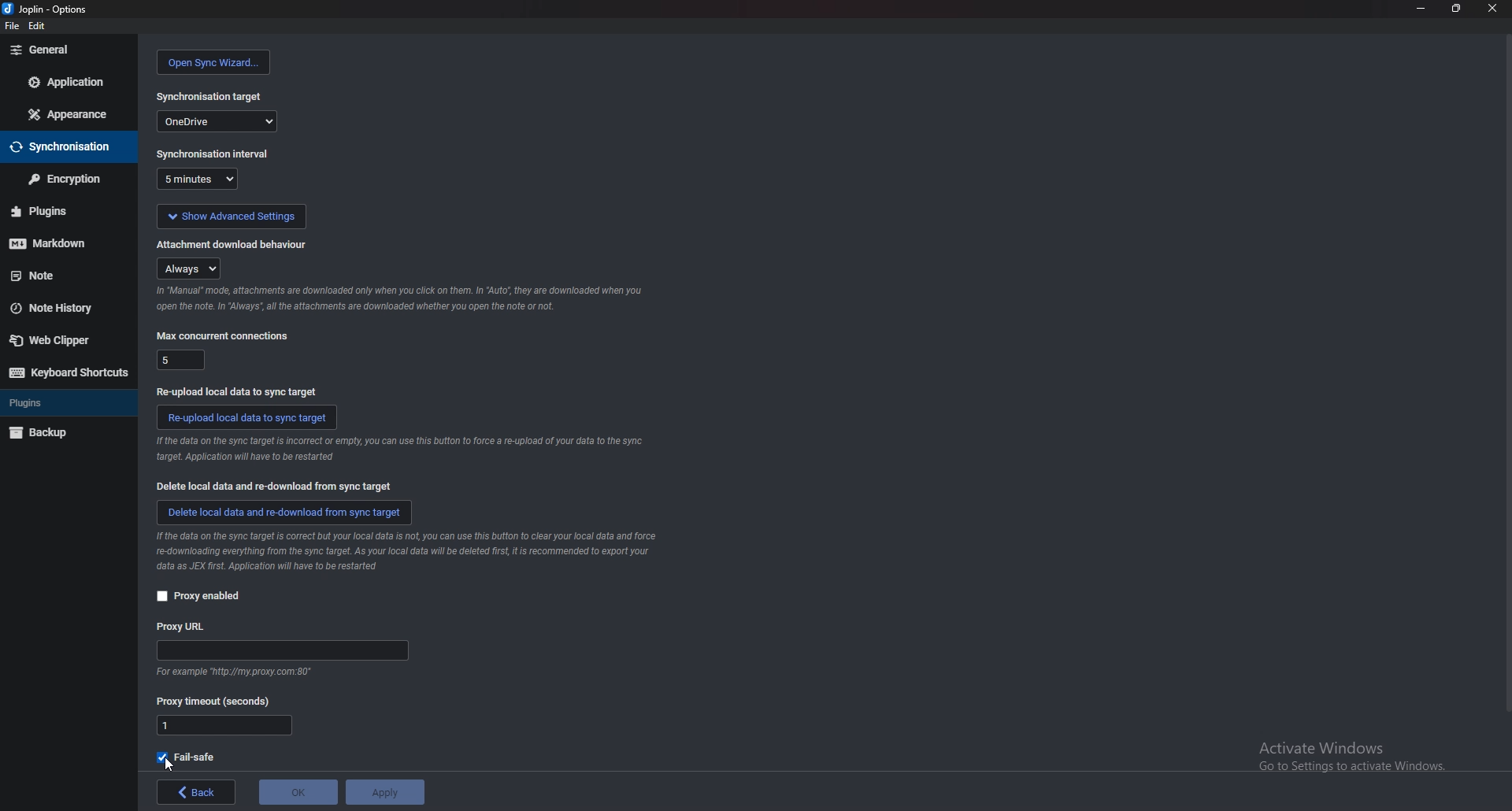  I want to click on resize, so click(1458, 9).